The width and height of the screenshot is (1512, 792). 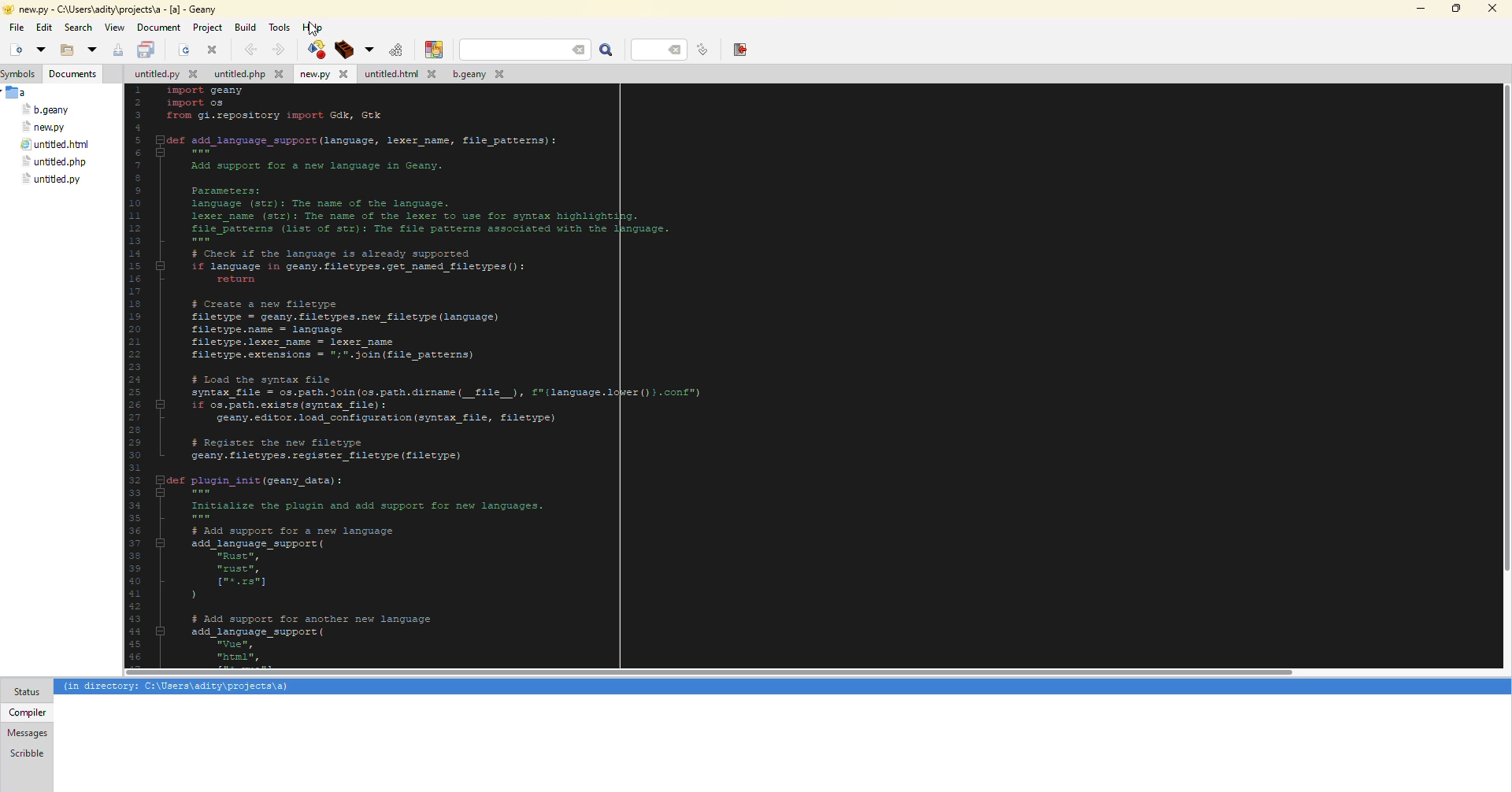 What do you see at coordinates (177, 687) in the screenshot?
I see `info` at bounding box center [177, 687].